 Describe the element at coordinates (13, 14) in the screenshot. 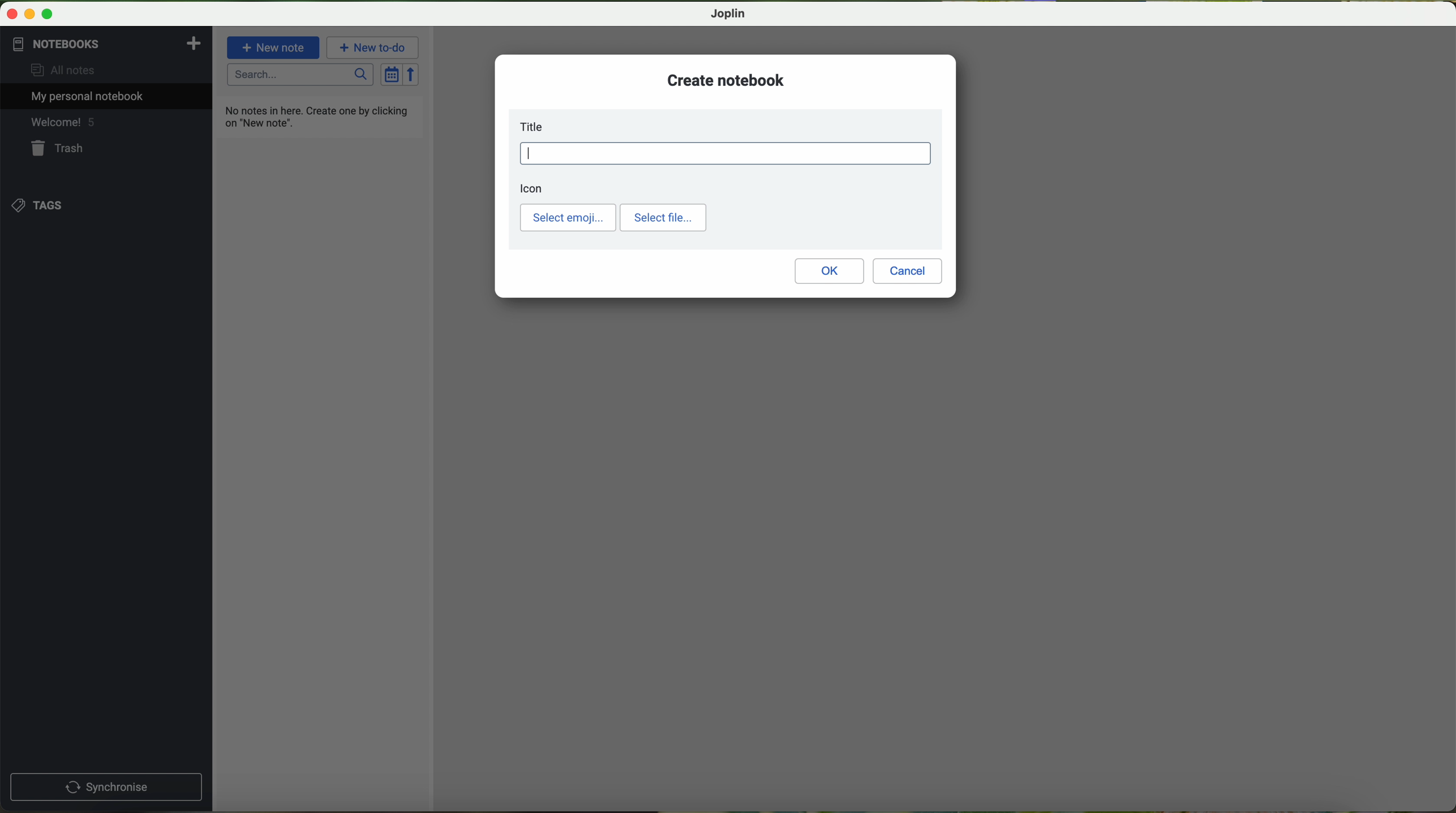

I see `close` at that location.